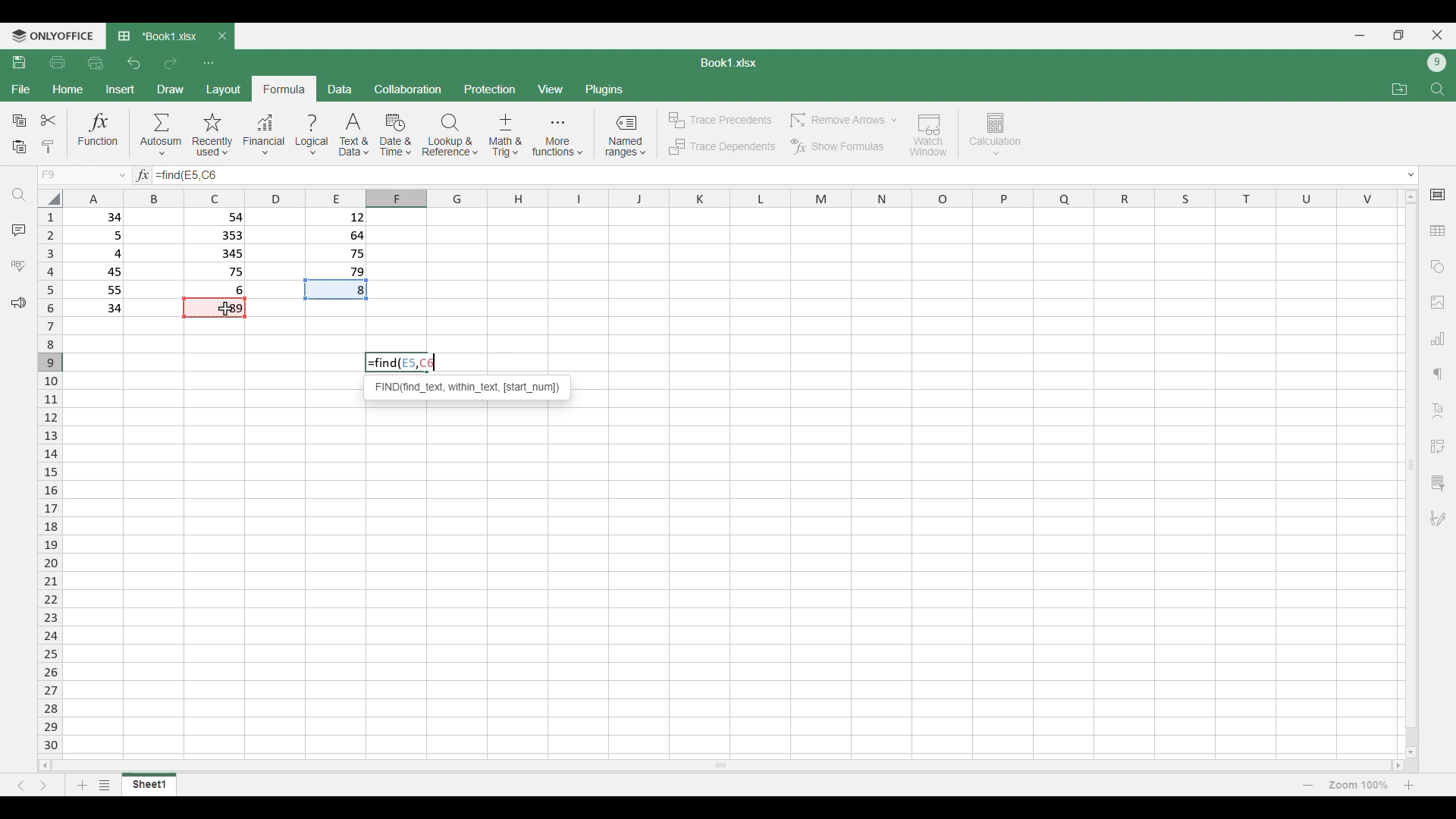 Image resolution: width=1456 pixels, height=819 pixels. I want to click on Add sheet, so click(83, 785).